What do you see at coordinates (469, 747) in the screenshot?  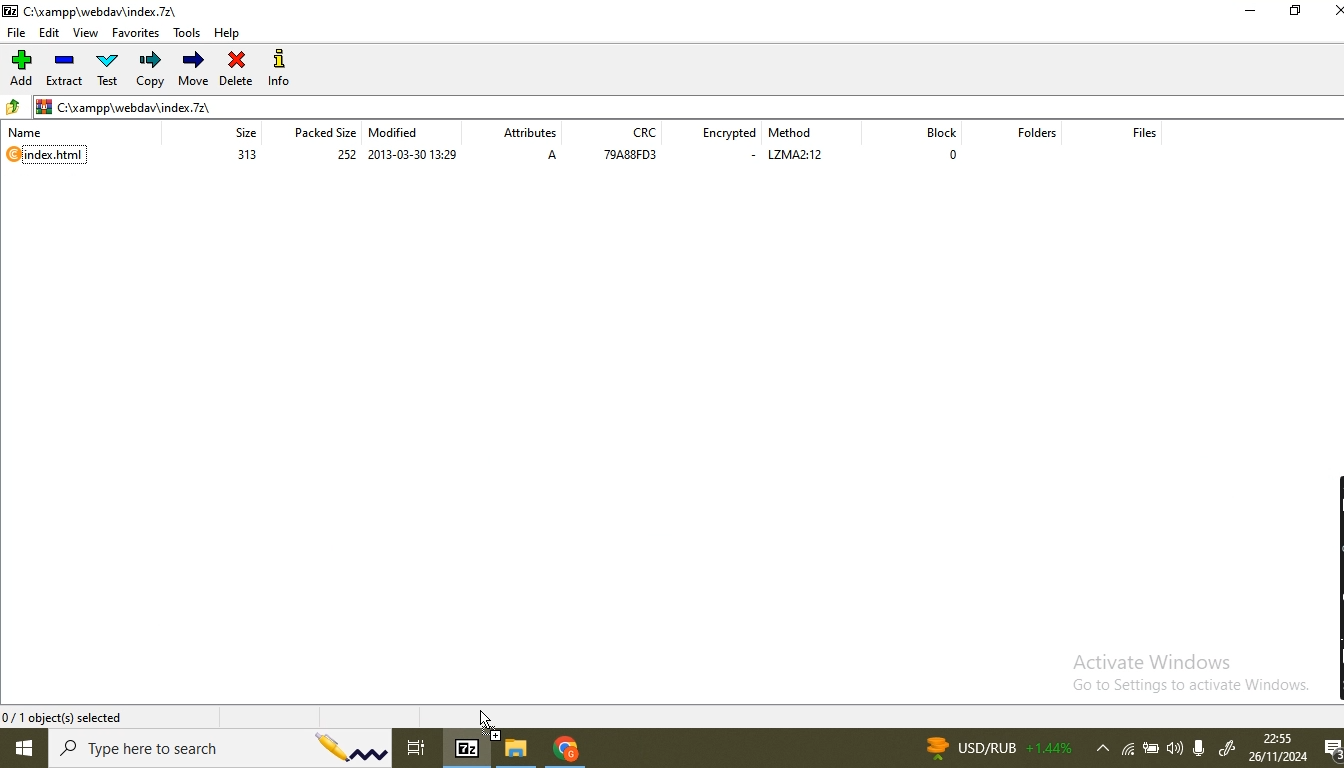 I see `7-Zip ` at bounding box center [469, 747].